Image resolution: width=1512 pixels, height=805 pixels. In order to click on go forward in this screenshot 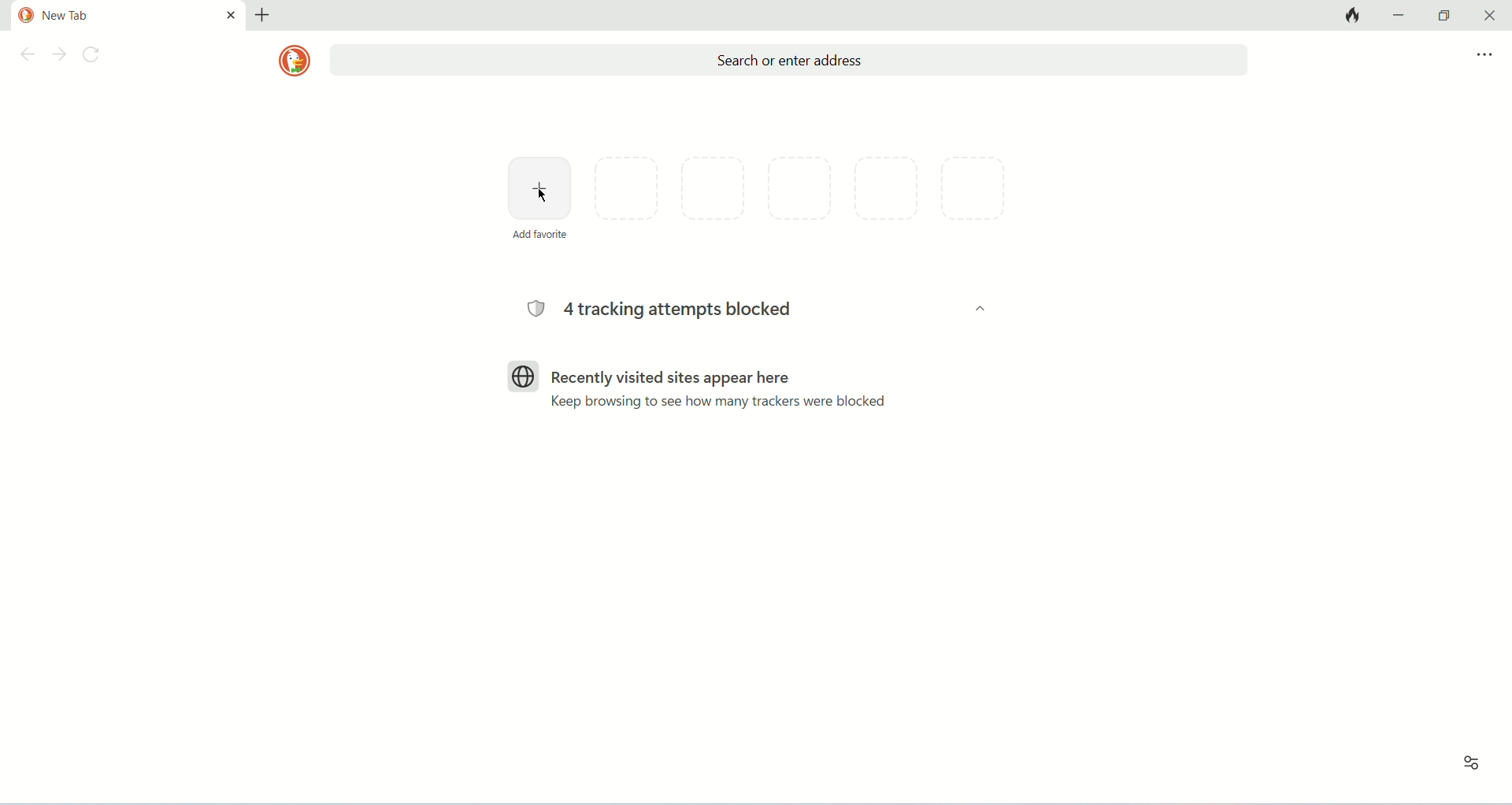, I will do `click(59, 56)`.